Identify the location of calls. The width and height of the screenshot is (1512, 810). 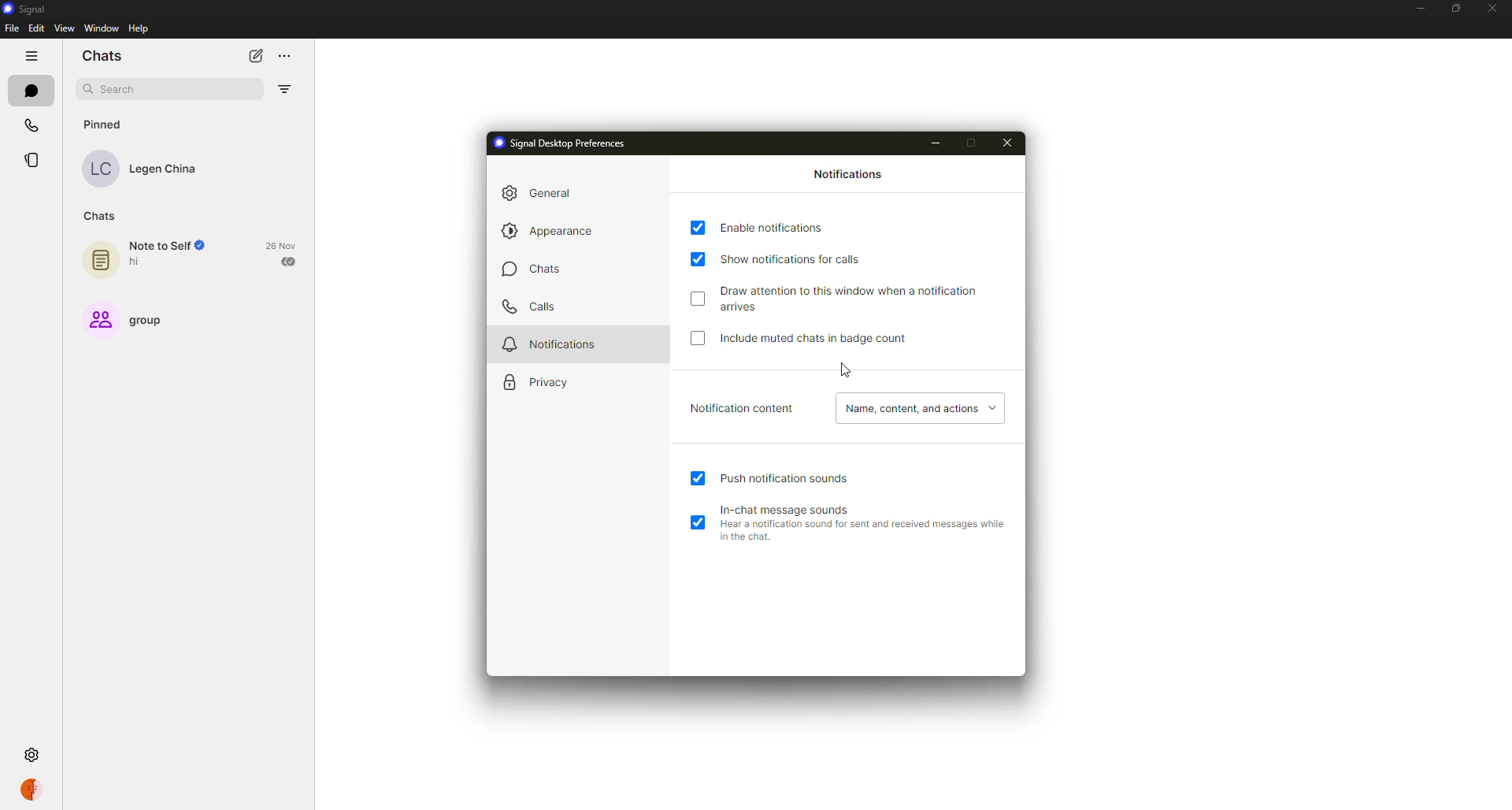
(532, 306).